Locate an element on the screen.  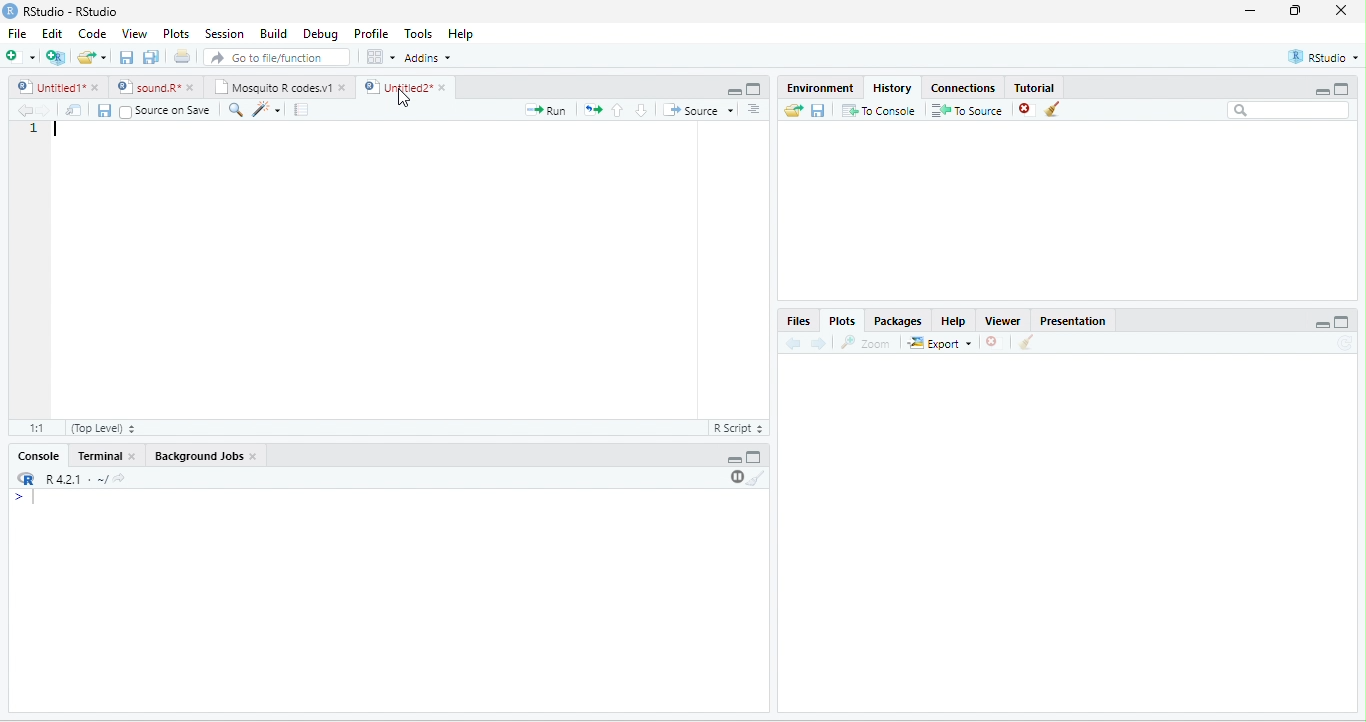
To console is located at coordinates (879, 110).